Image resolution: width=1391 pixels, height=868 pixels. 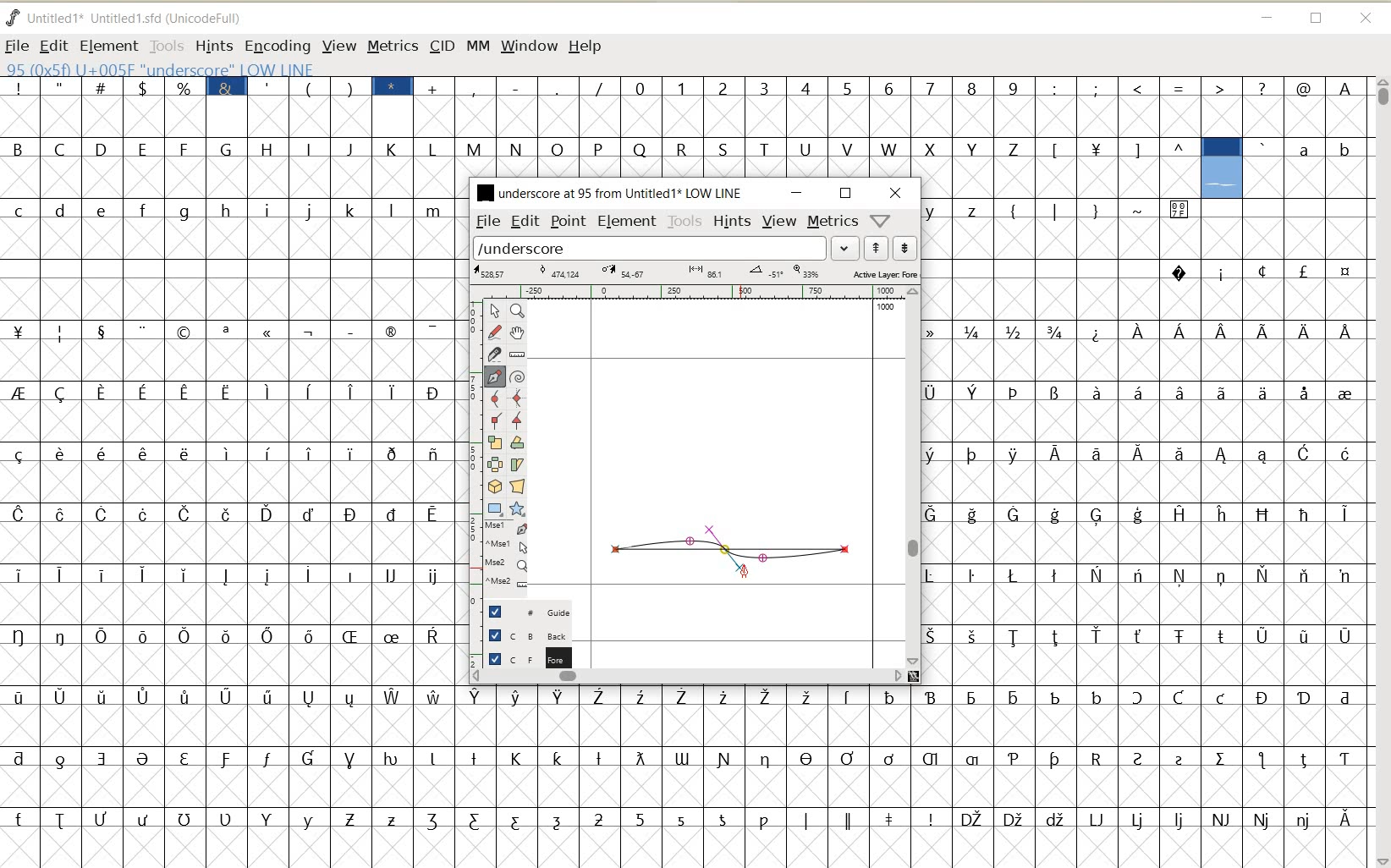 What do you see at coordinates (213, 46) in the screenshot?
I see `HINTS` at bounding box center [213, 46].